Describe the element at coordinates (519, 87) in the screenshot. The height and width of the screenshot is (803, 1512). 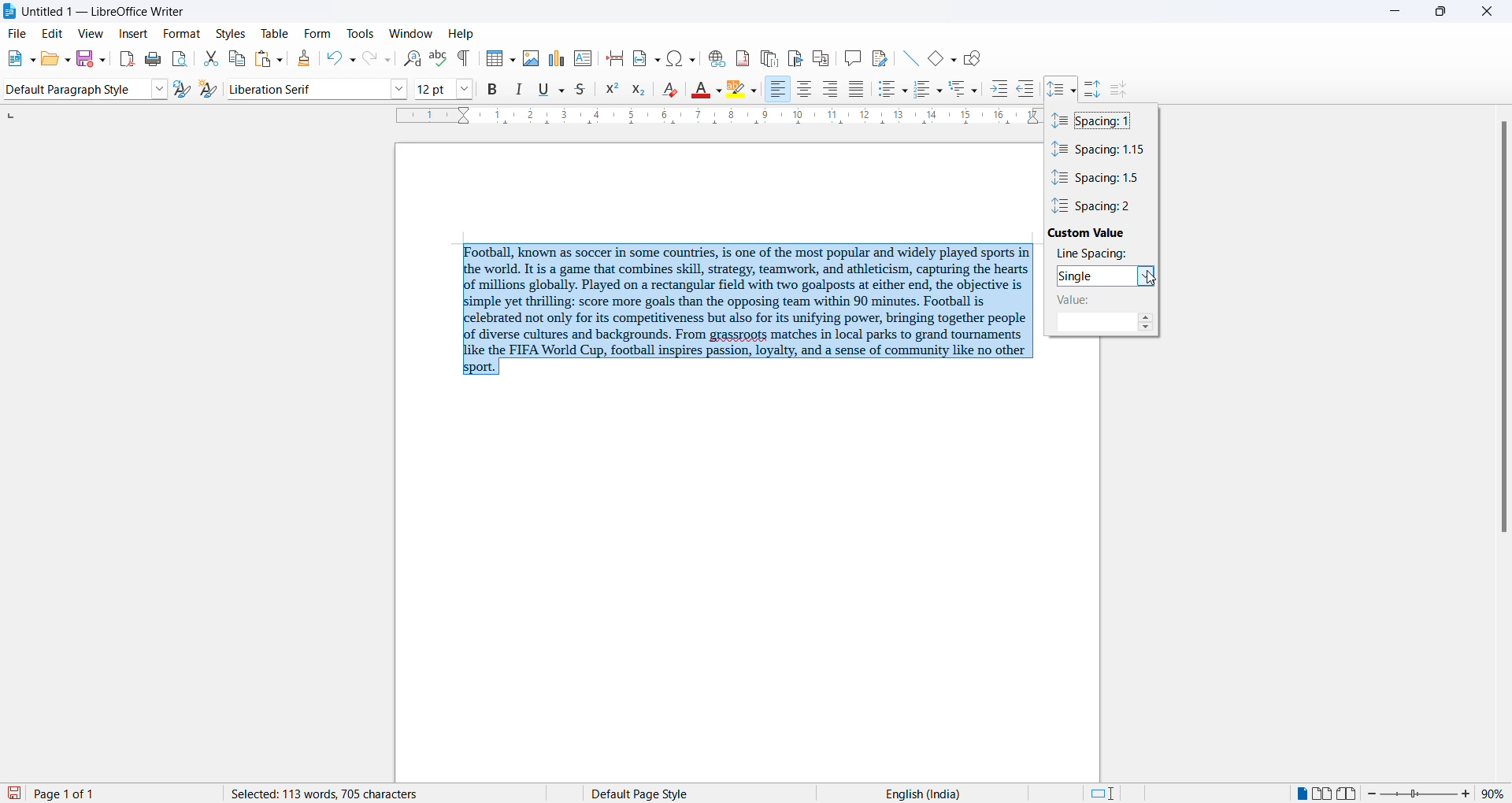
I see `italic` at that location.